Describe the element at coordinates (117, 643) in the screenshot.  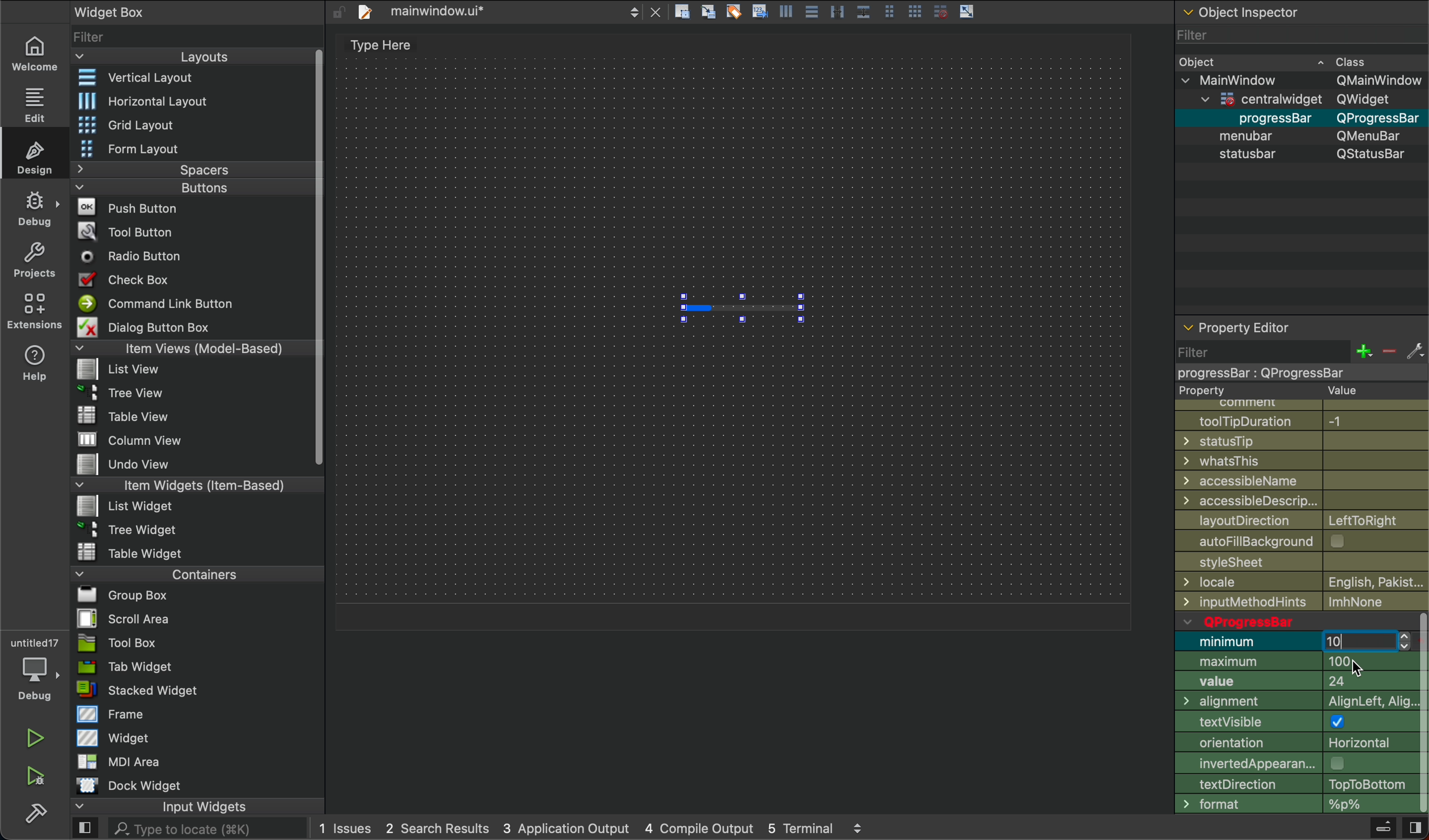
I see `Tool Box` at that location.